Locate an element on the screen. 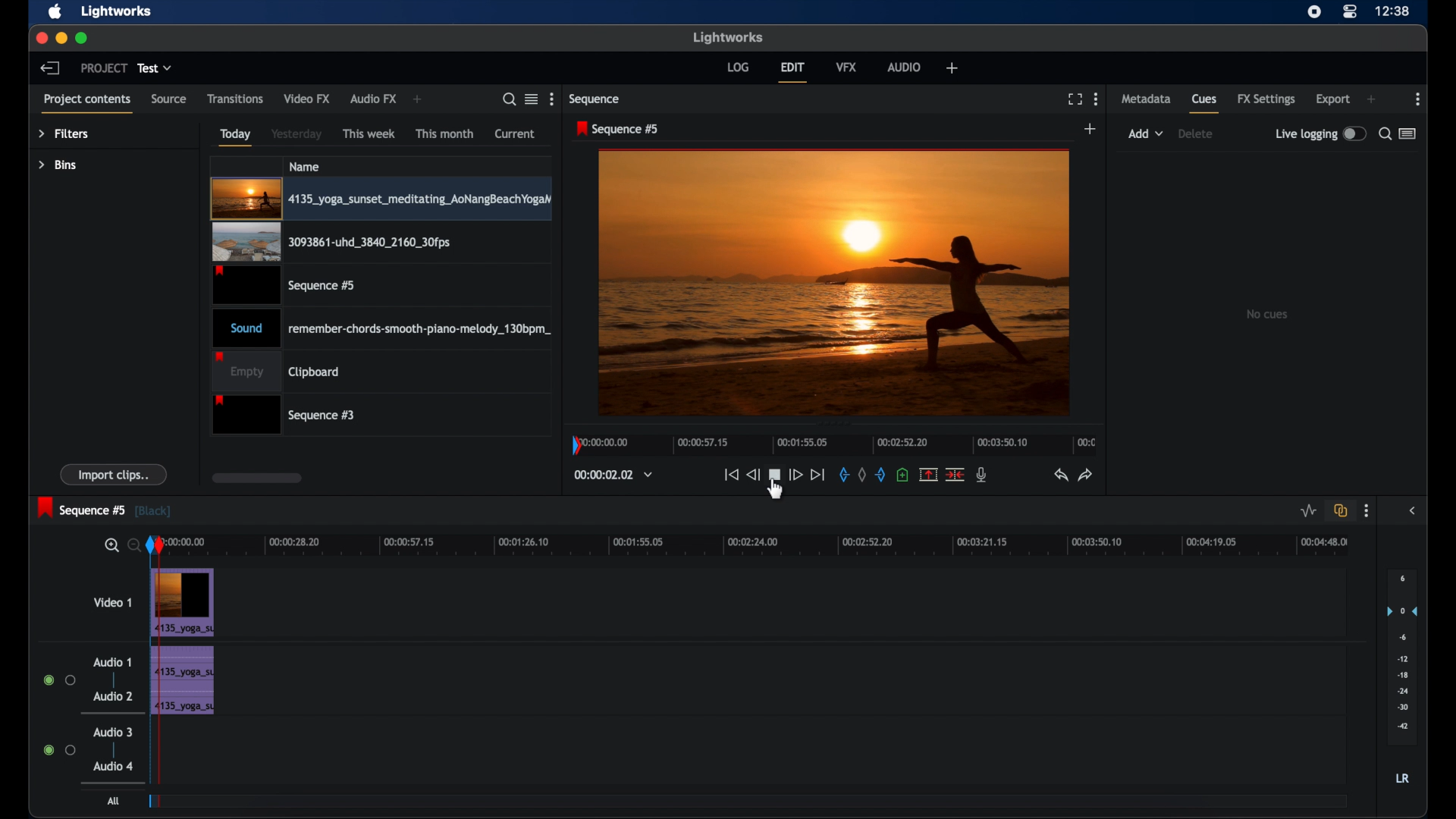 The width and height of the screenshot is (1456, 819). name is located at coordinates (305, 166).